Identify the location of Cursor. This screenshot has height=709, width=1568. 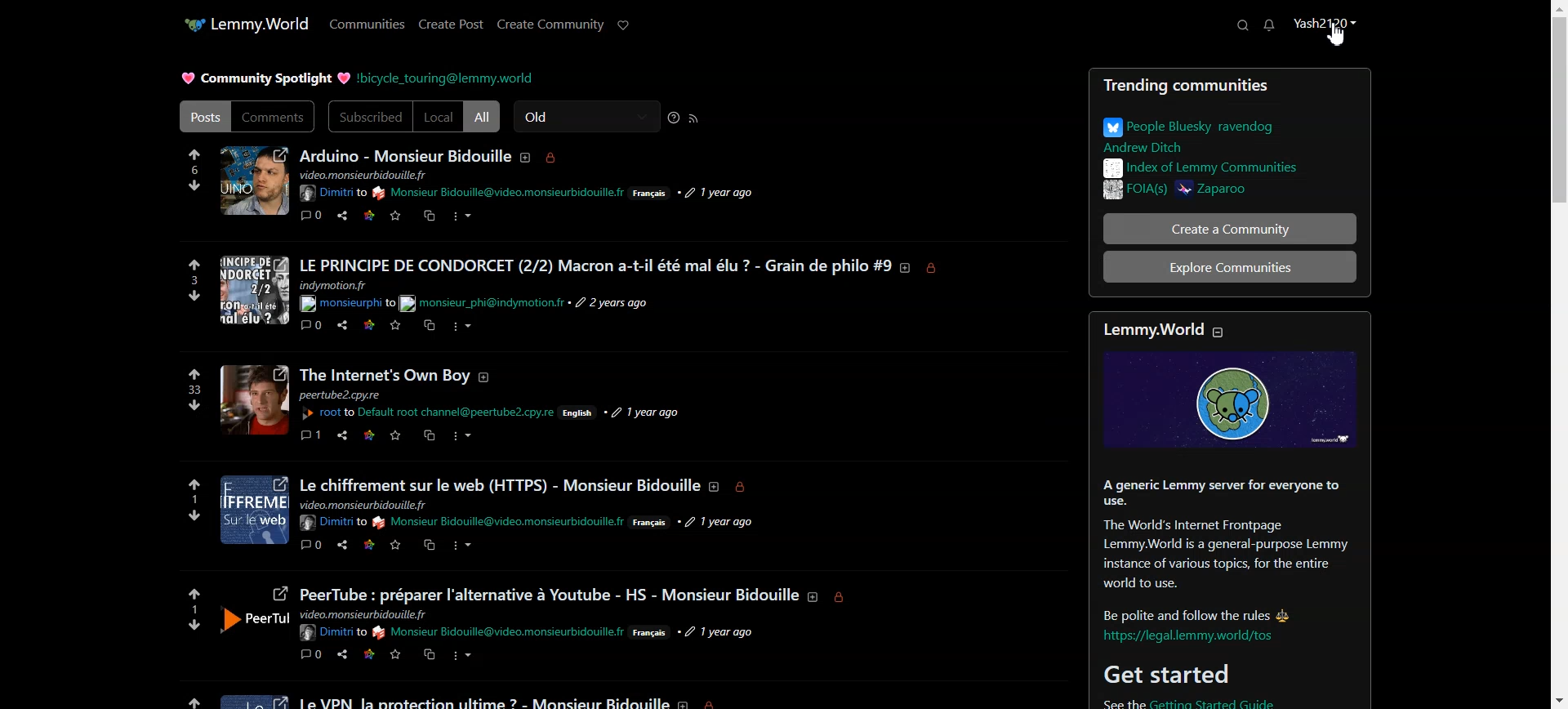
(1337, 34).